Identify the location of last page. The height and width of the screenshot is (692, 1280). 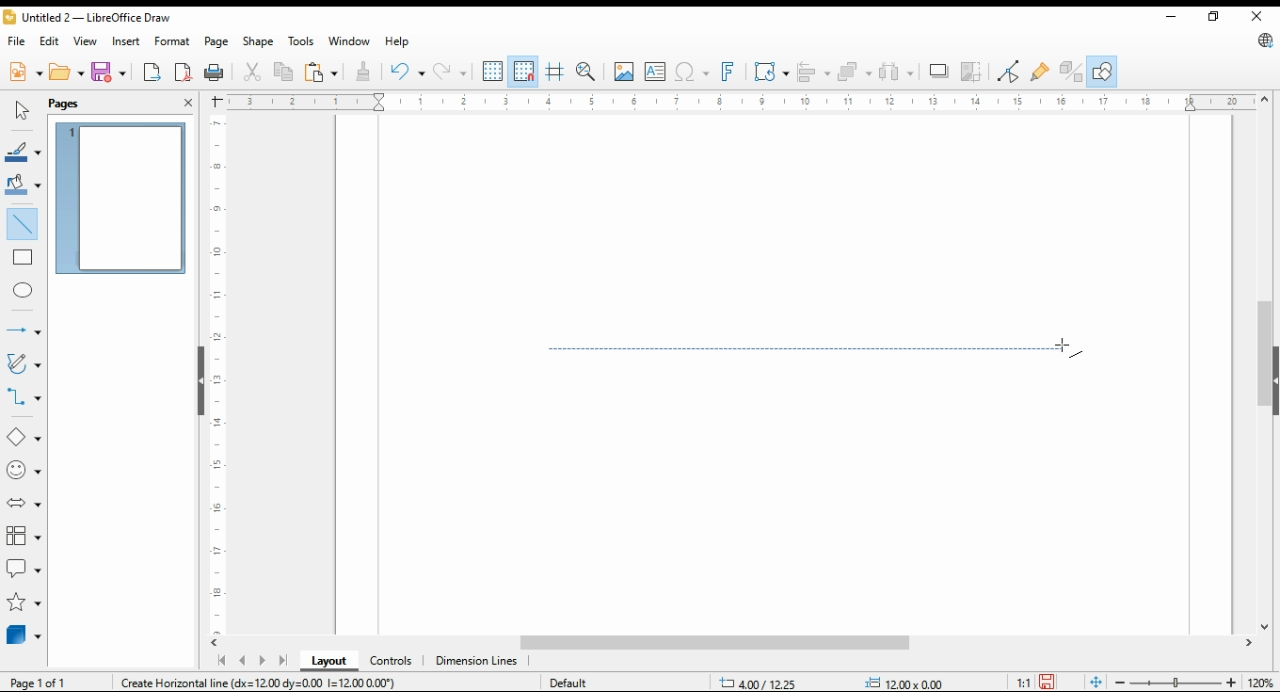
(282, 662).